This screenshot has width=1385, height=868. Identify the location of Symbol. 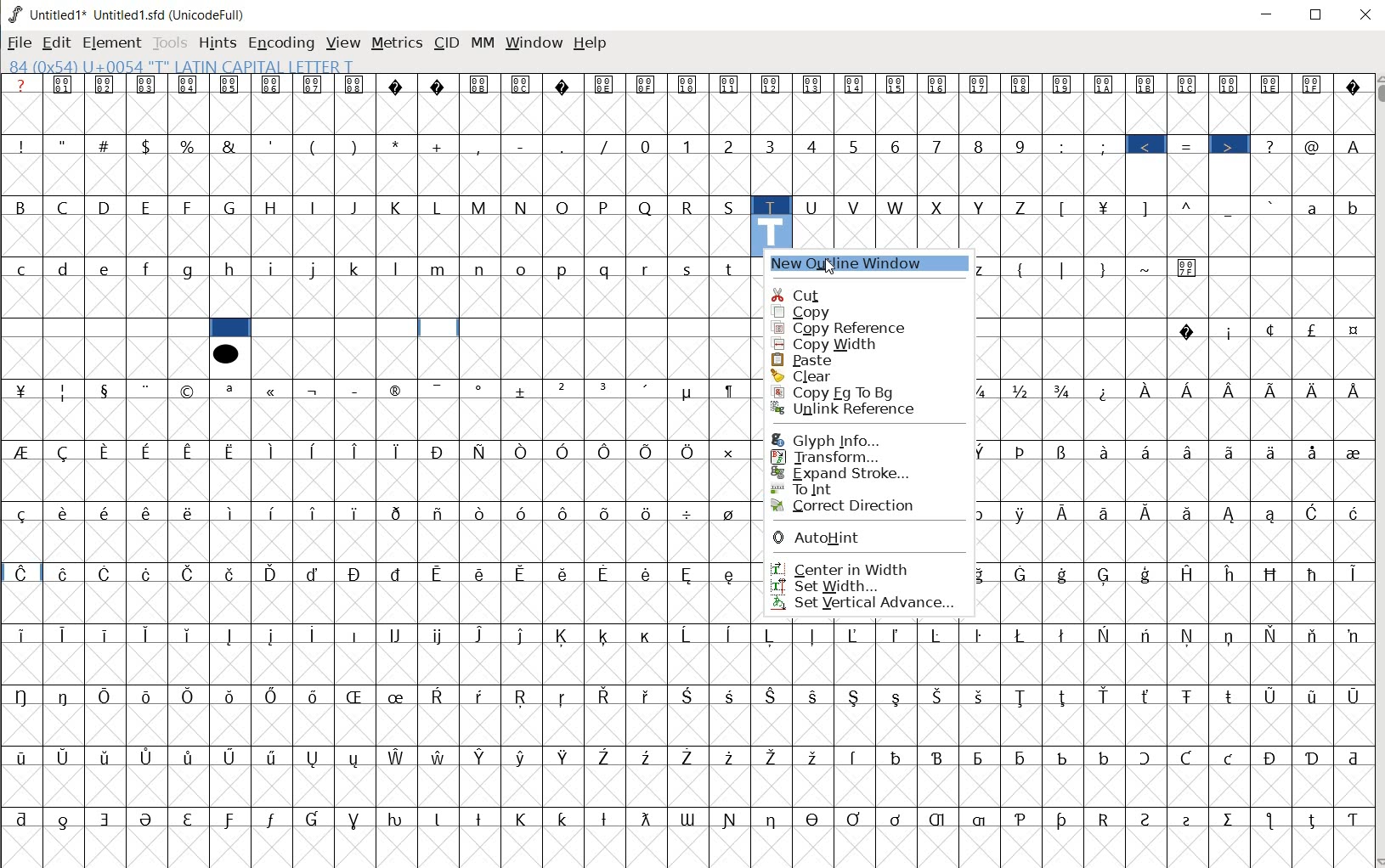
(524, 819).